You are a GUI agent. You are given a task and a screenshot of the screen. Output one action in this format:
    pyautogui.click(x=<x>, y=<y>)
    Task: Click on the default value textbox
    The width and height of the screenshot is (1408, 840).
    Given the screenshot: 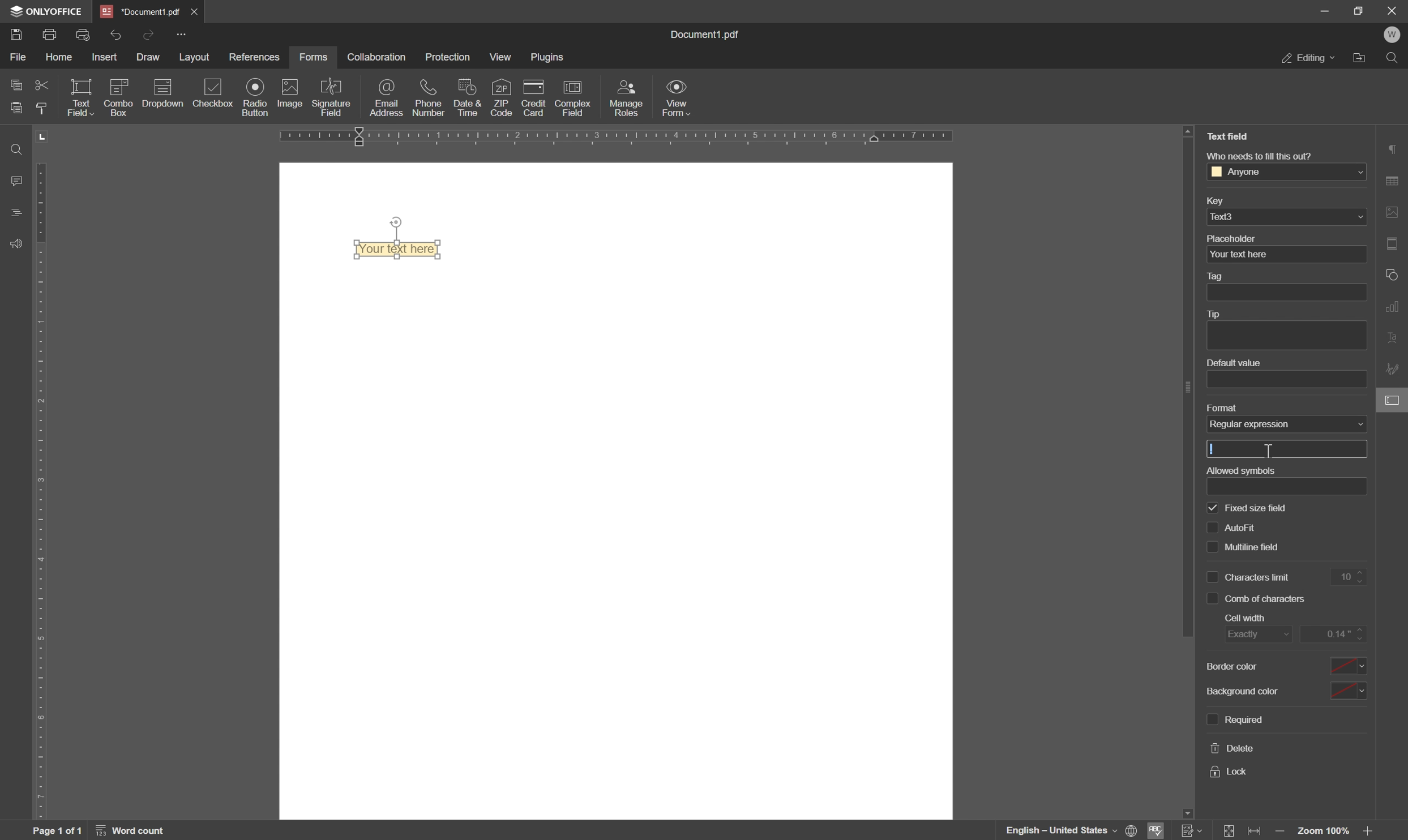 What is the action you would take?
    pyautogui.click(x=1289, y=379)
    